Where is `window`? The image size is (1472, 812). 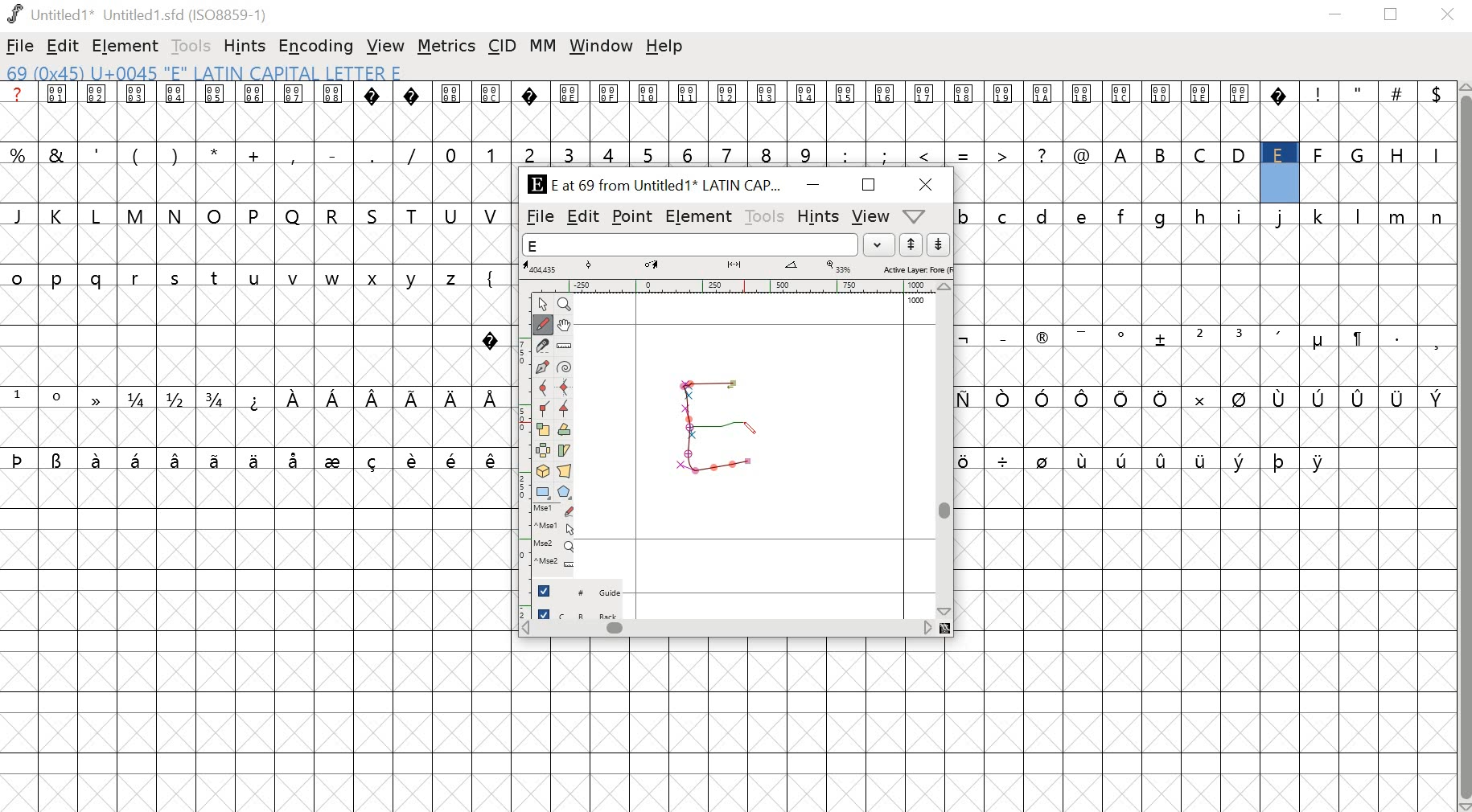 window is located at coordinates (599, 45).